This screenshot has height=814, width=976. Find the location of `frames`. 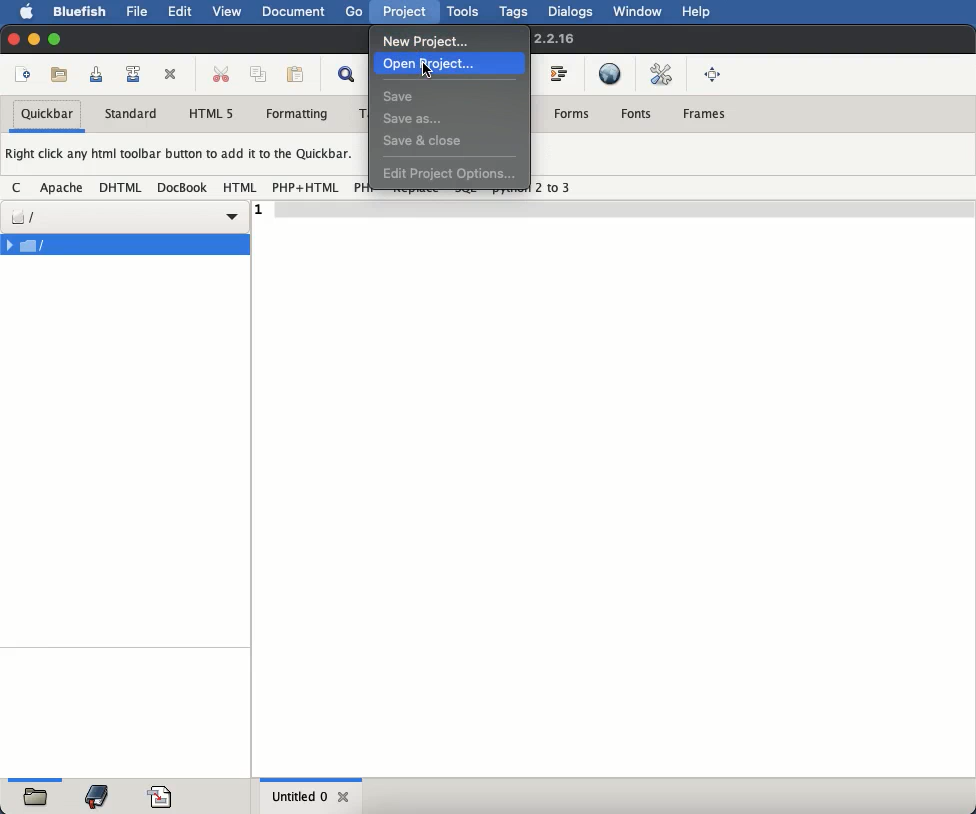

frames is located at coordinates (705, 112).